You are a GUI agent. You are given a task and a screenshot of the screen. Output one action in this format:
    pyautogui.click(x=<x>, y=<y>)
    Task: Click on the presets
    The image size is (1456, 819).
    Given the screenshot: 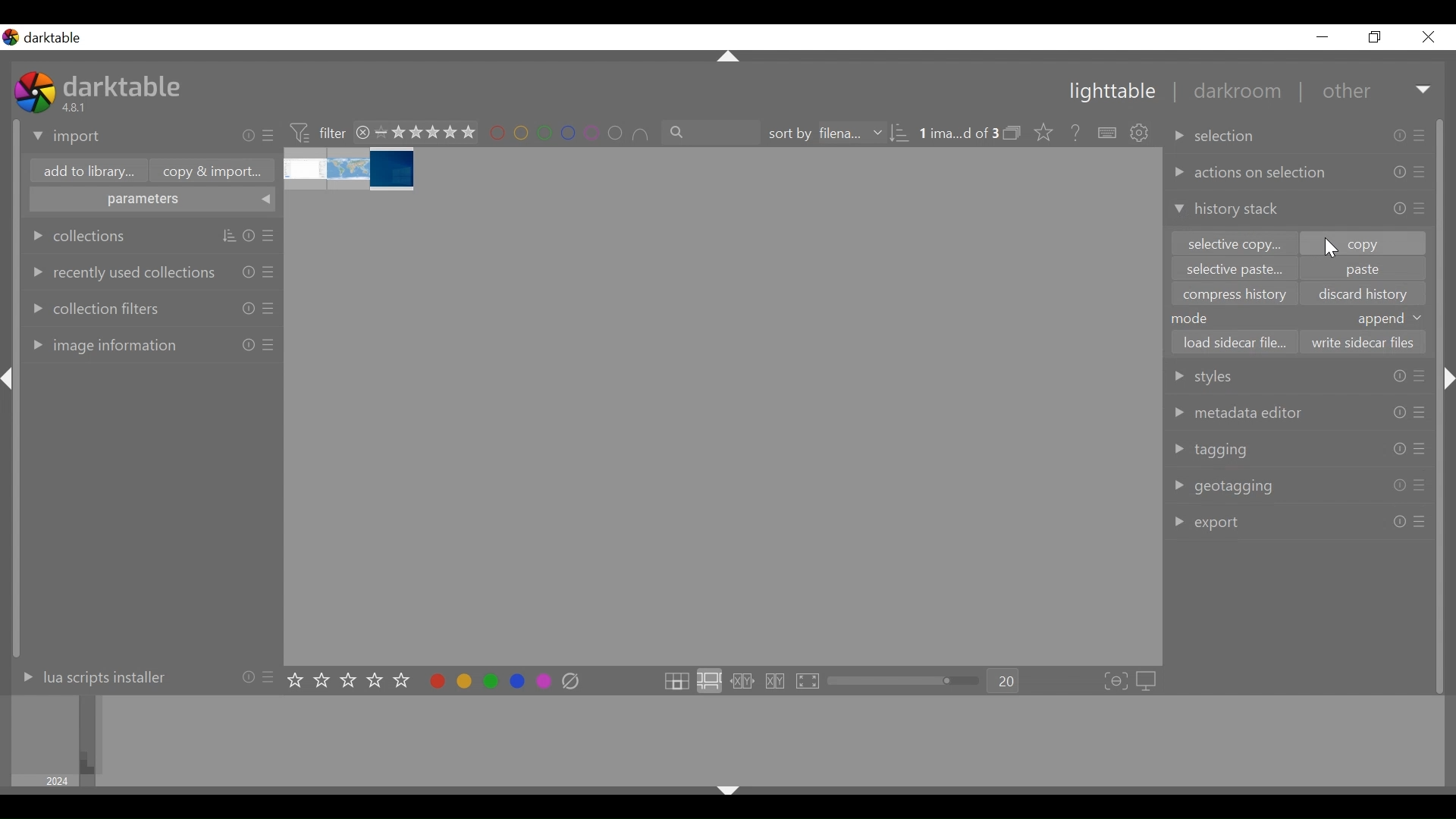 What is the action you would take?
    pyautogui.click(x=270, y=308)
    